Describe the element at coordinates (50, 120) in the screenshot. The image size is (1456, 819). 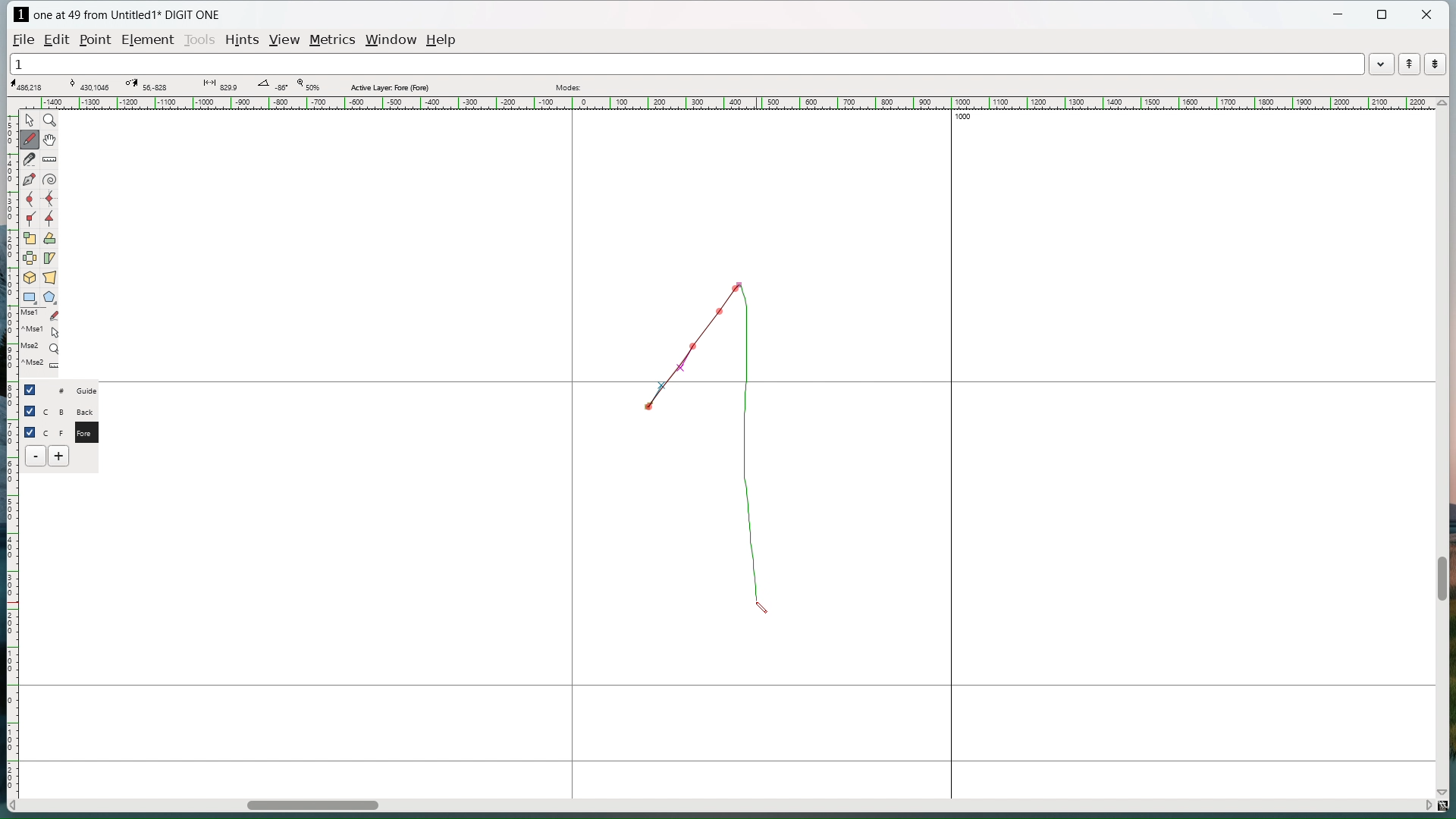
I see `magnify` at that location.